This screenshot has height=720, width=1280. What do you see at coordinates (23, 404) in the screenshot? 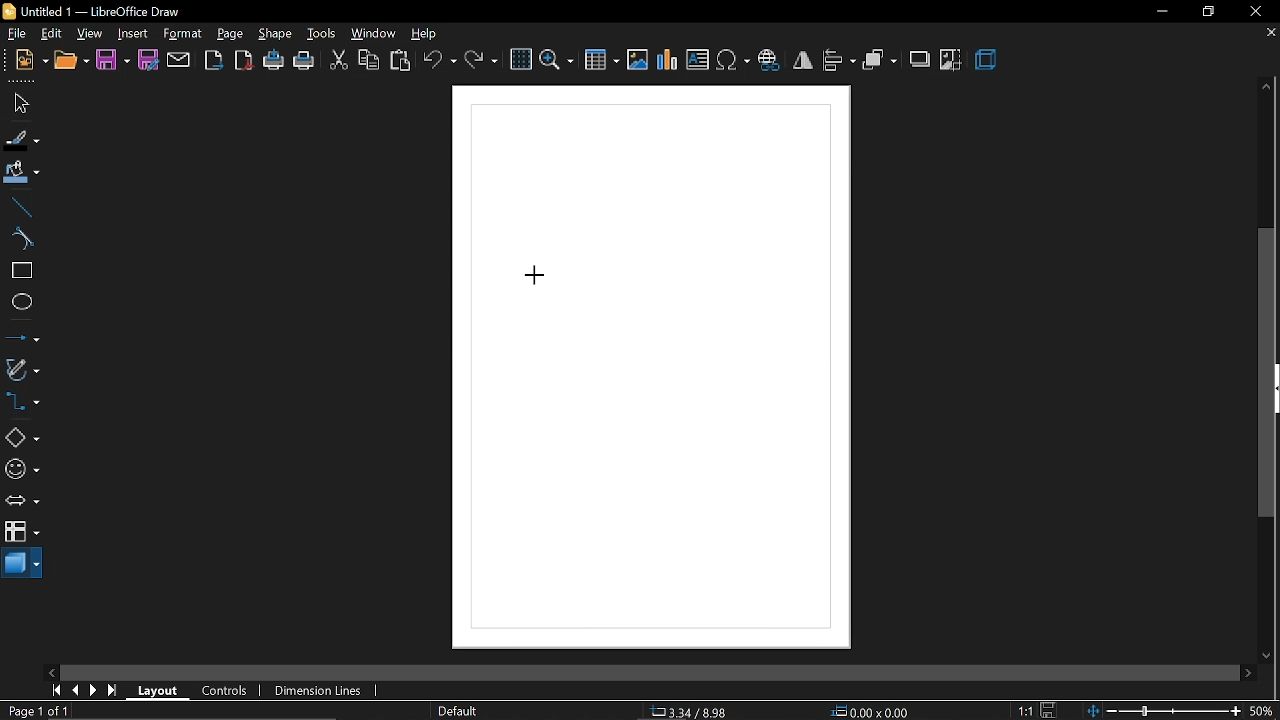
I see `connector` at bounding box center [23, 404].